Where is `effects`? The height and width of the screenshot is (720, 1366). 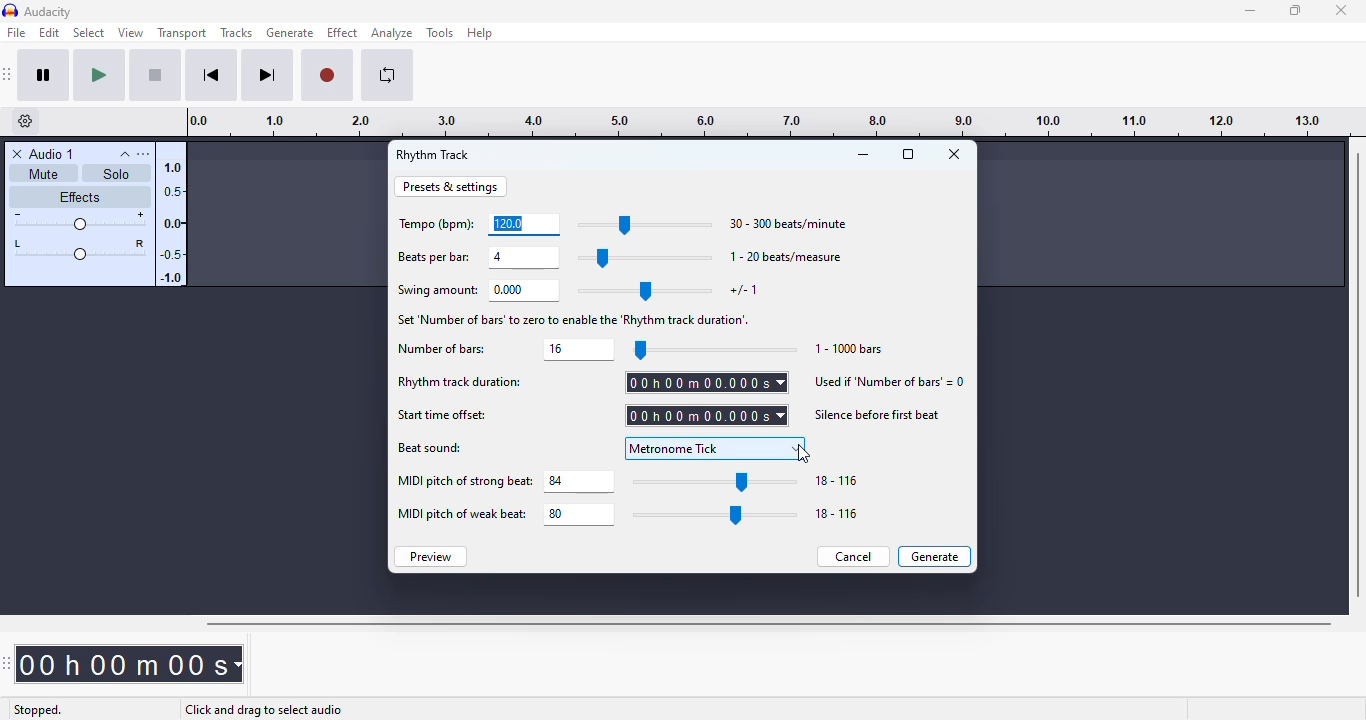
effects is located at coordinates (79, 197).